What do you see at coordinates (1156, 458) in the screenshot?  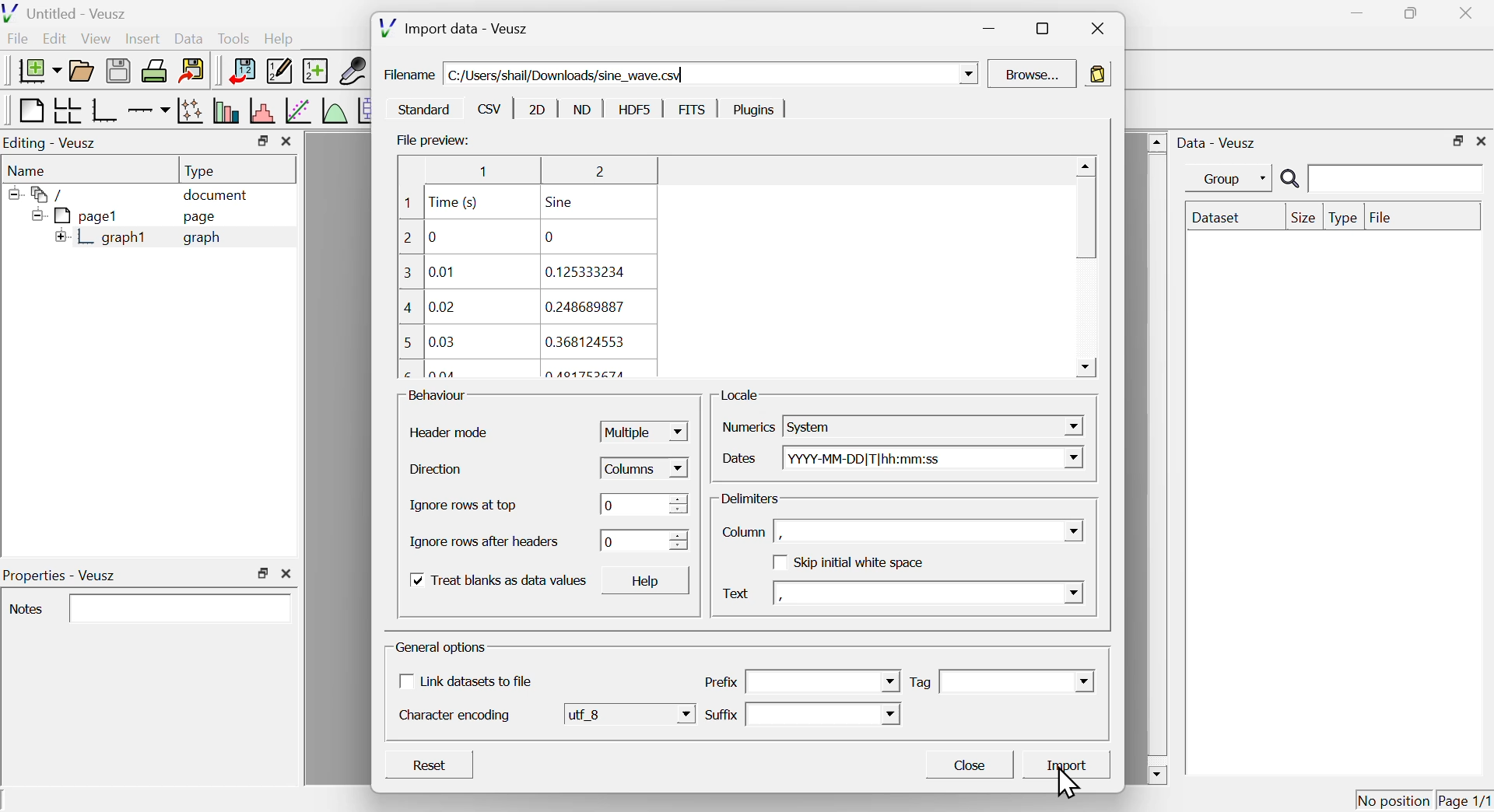 I see `scrollbar` at bounding box center [1156, 458].